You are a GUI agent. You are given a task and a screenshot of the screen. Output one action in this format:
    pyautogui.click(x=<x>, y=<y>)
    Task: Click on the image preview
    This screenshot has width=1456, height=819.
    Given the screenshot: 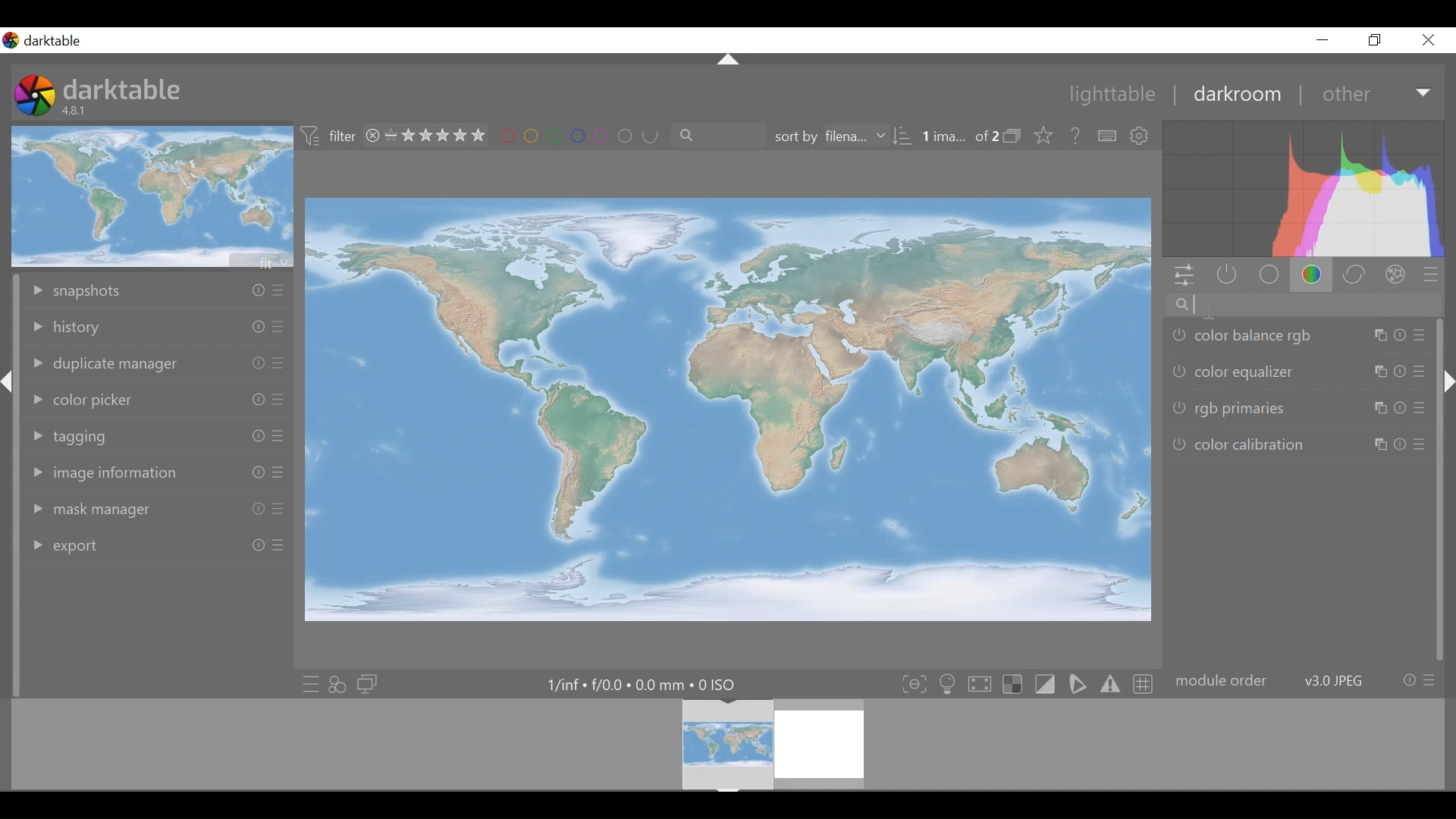 What is the action you would take?
    pyautogui.click(x=152, y=196)
    